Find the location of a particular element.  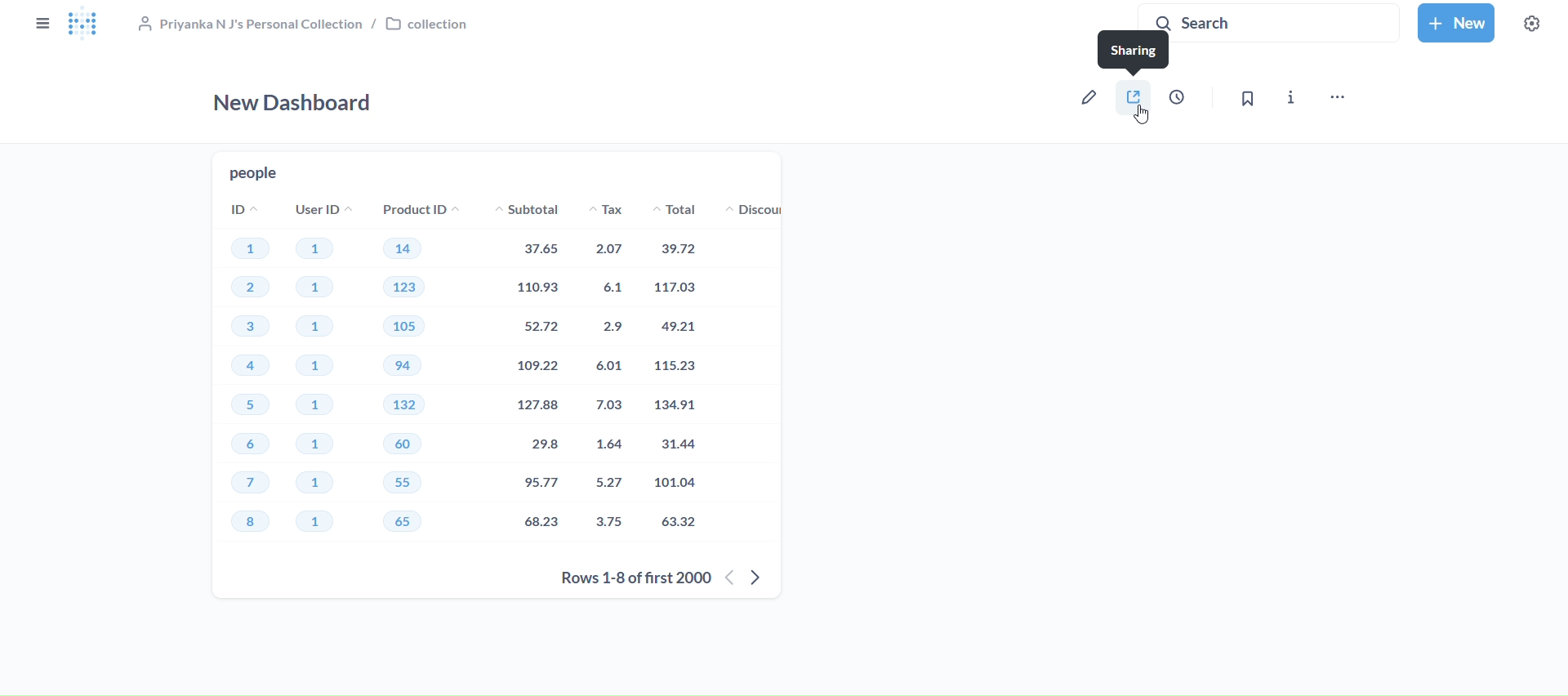

people is located at coordinates (253, 173).